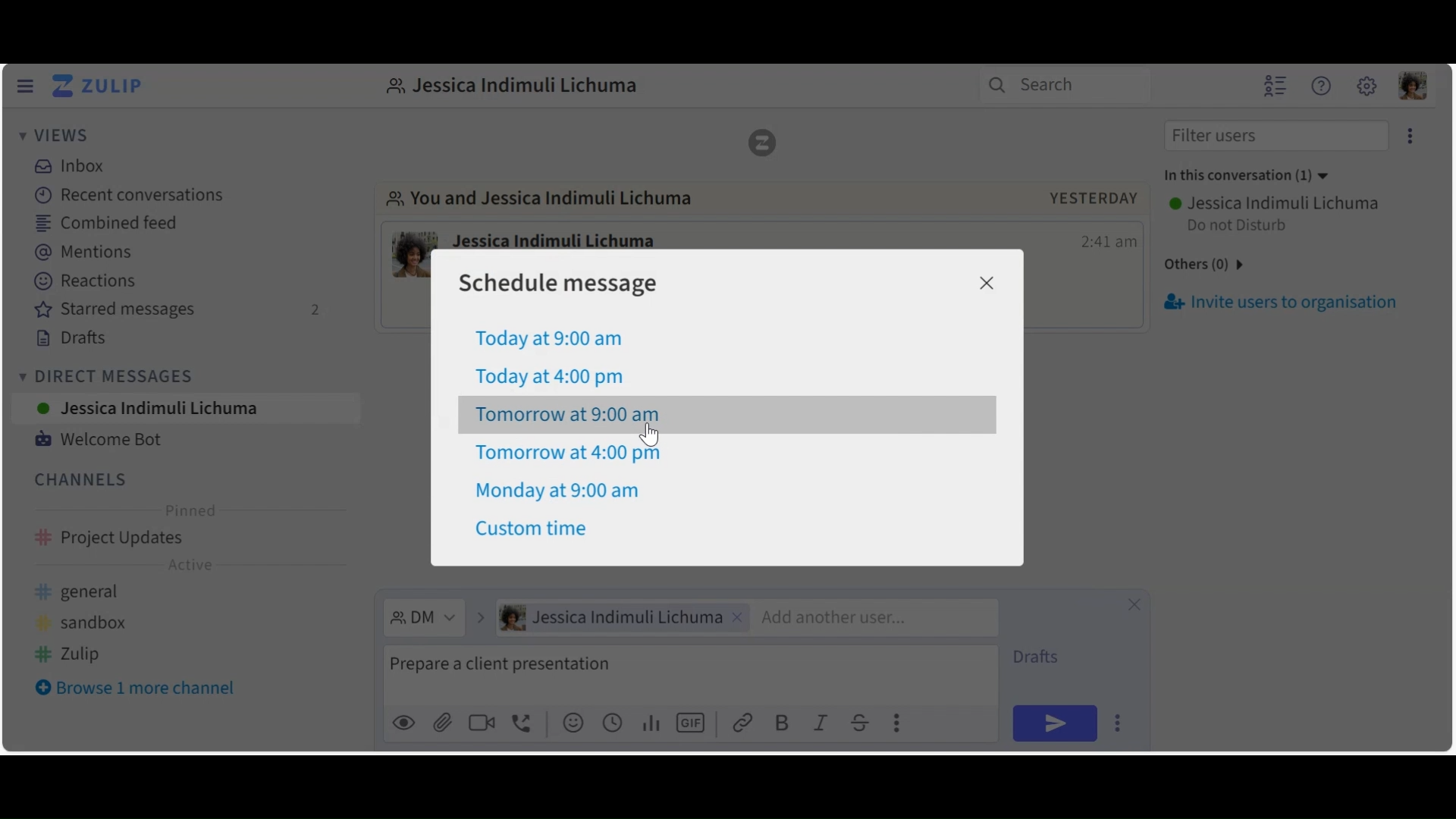 Image resolution: width=1456 pixels, height=819 pixels. Describe the element at coordinates (1409, 85) in the screenshot. I see `Personal menu` at that location.